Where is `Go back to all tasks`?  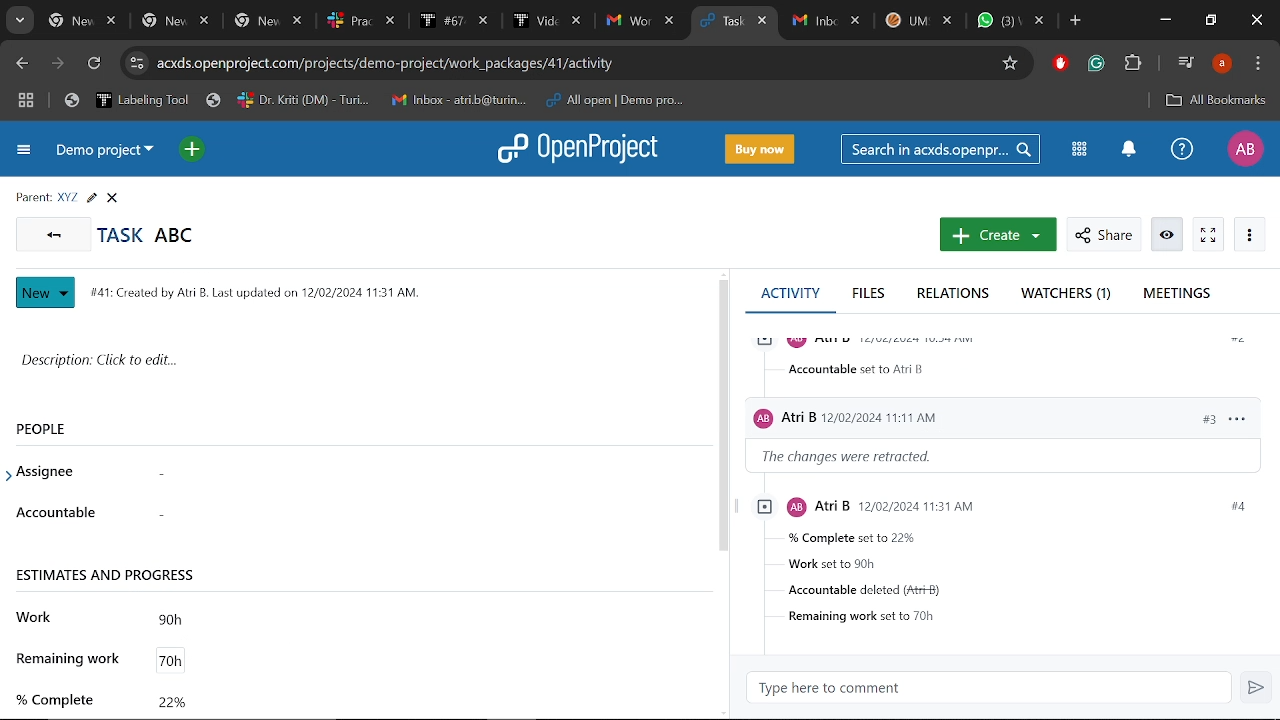 Go back to all tasks is located at coordinates (54, 235).